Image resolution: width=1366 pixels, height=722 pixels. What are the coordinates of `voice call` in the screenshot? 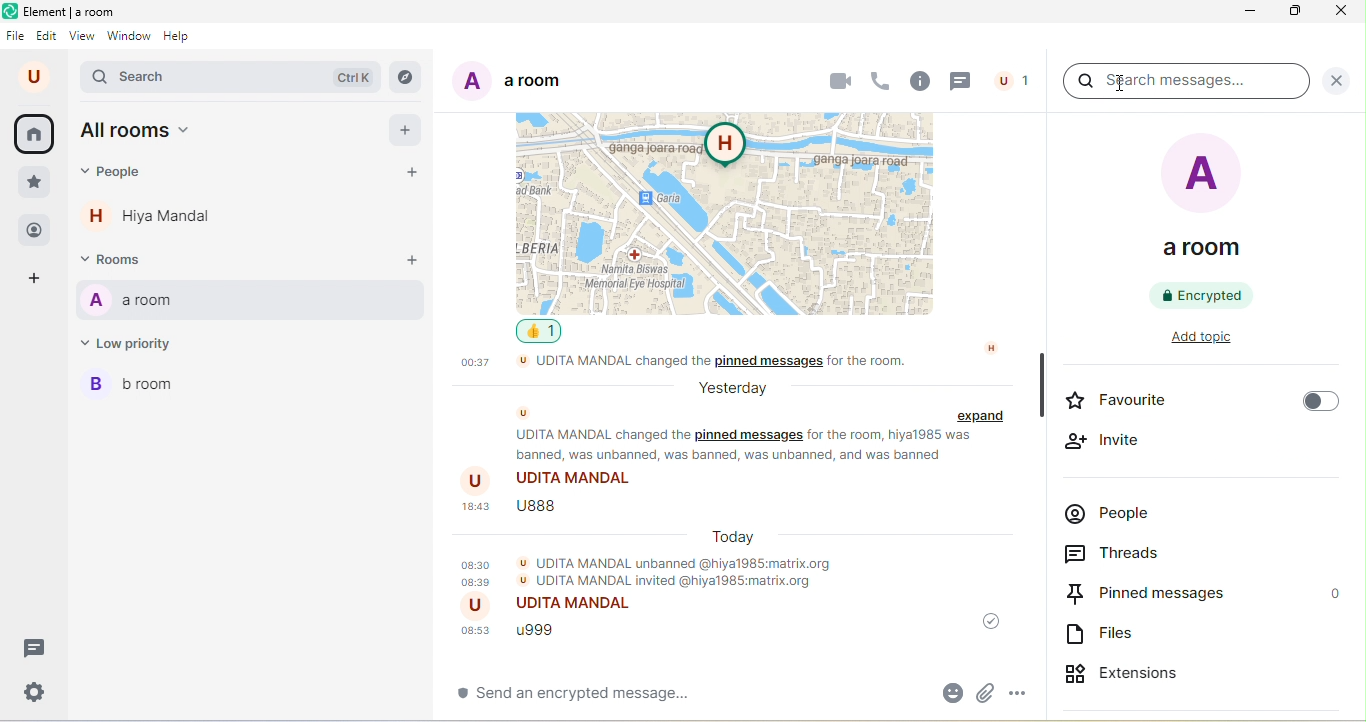 It's located at (881, 78).